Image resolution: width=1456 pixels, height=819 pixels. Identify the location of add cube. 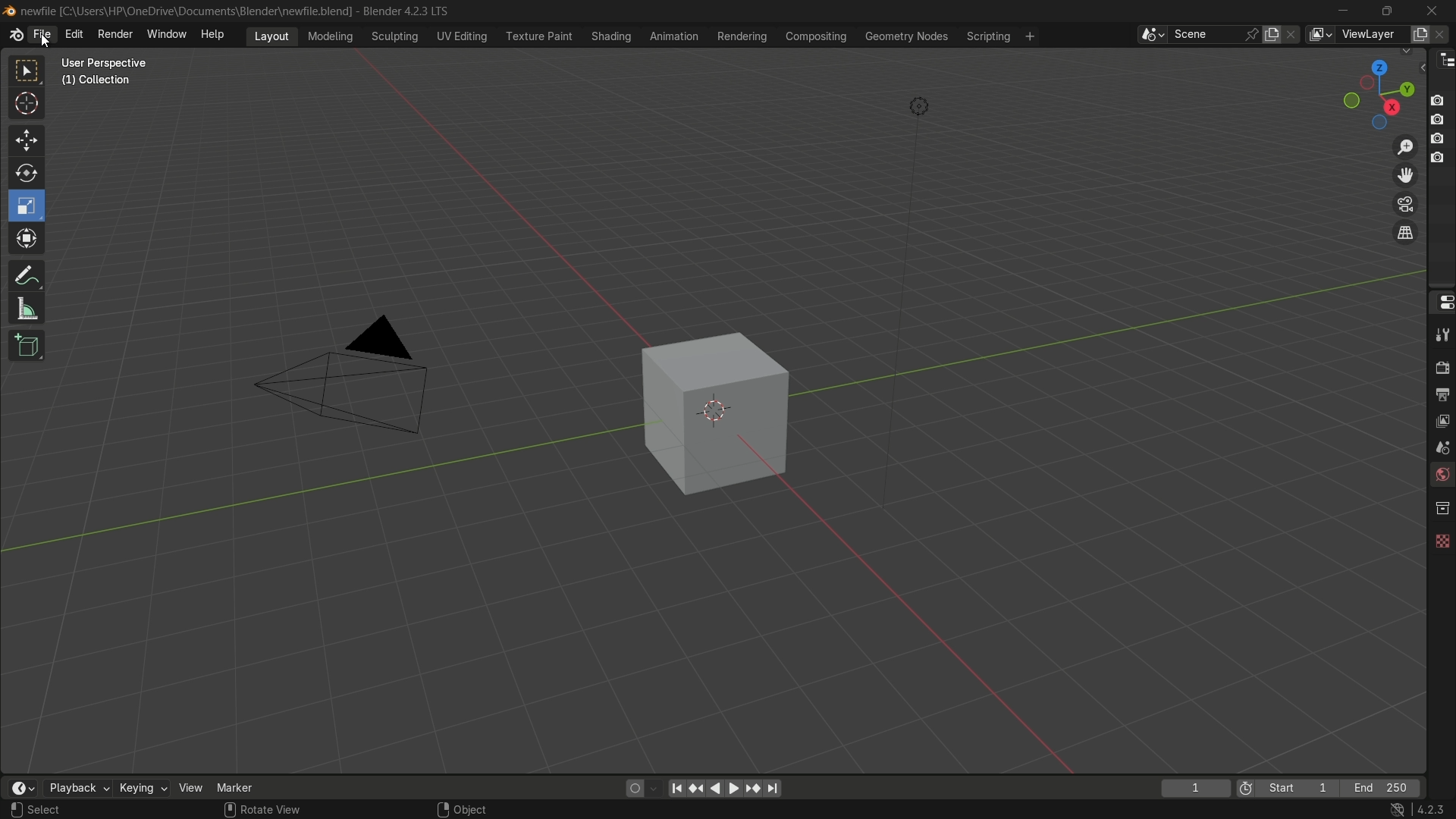
(24, 347).